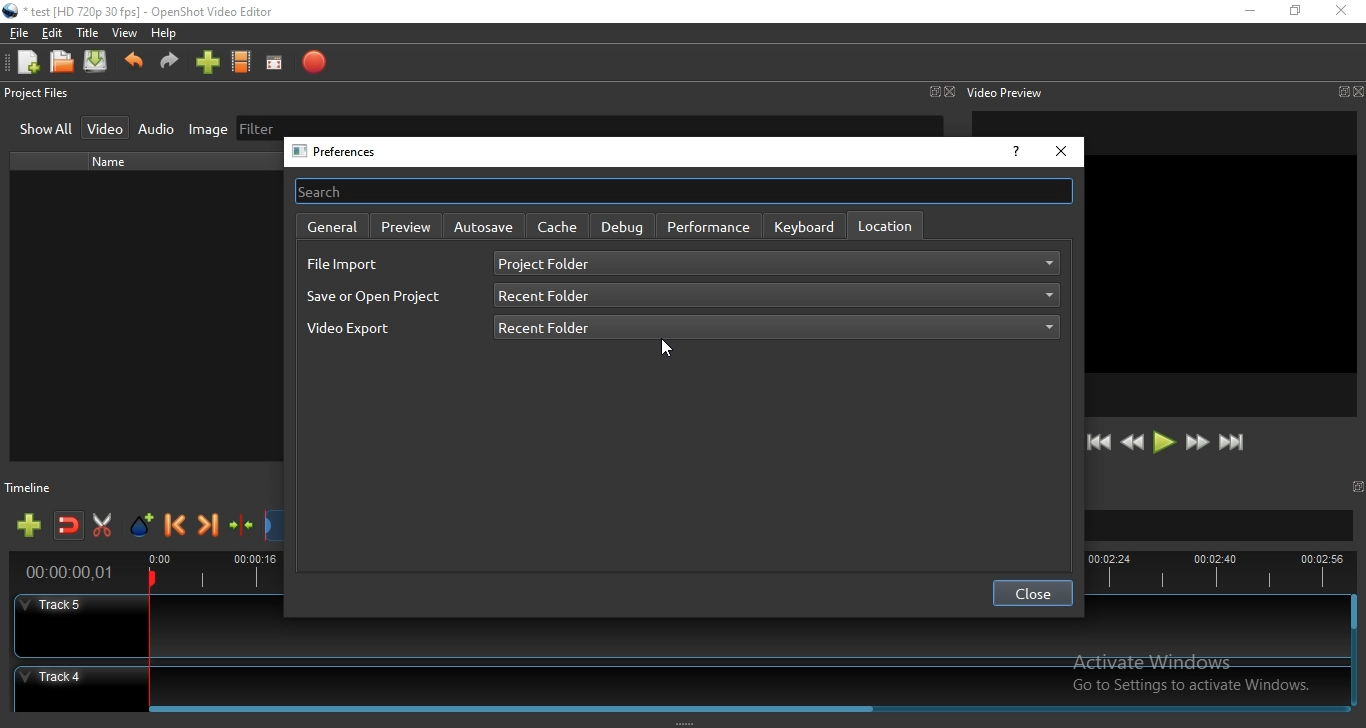 The height and width of the screenshot is (728, 1366). I want to click on search, so click(683, 190).